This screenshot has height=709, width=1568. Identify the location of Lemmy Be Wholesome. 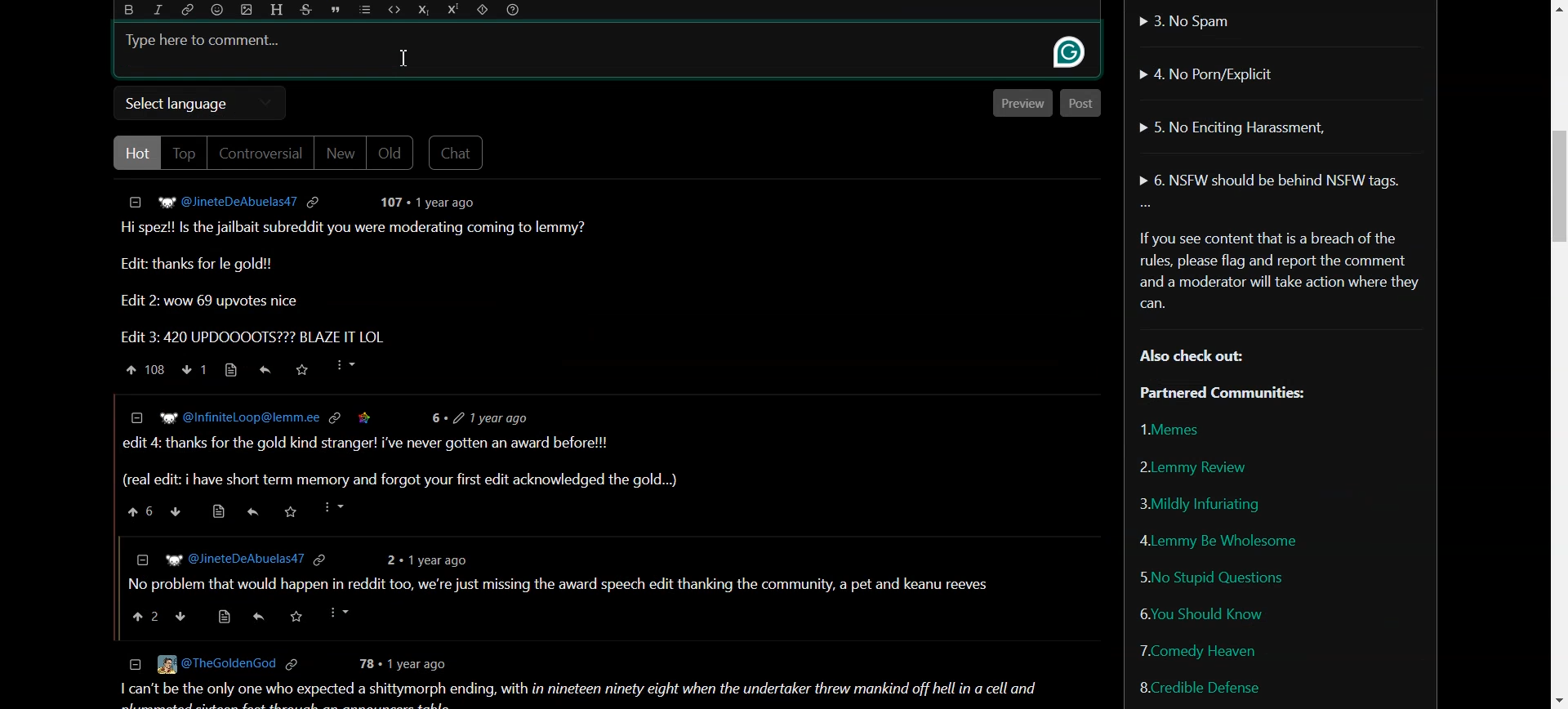
(1218, 540).